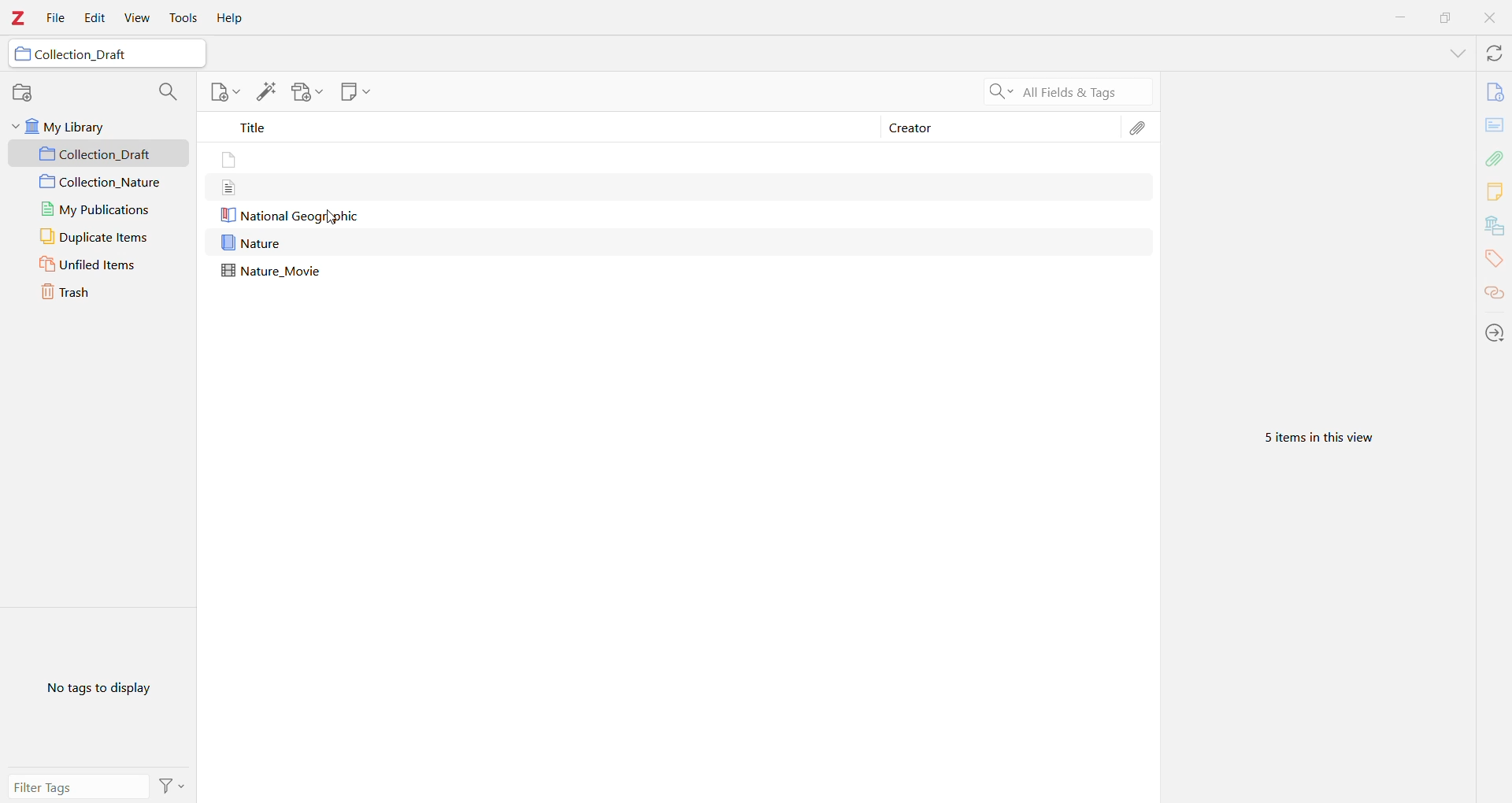  What do you see at coordinates (99, 294) in the screenshot?
I see `Trash` at bounding box center [99, 294].